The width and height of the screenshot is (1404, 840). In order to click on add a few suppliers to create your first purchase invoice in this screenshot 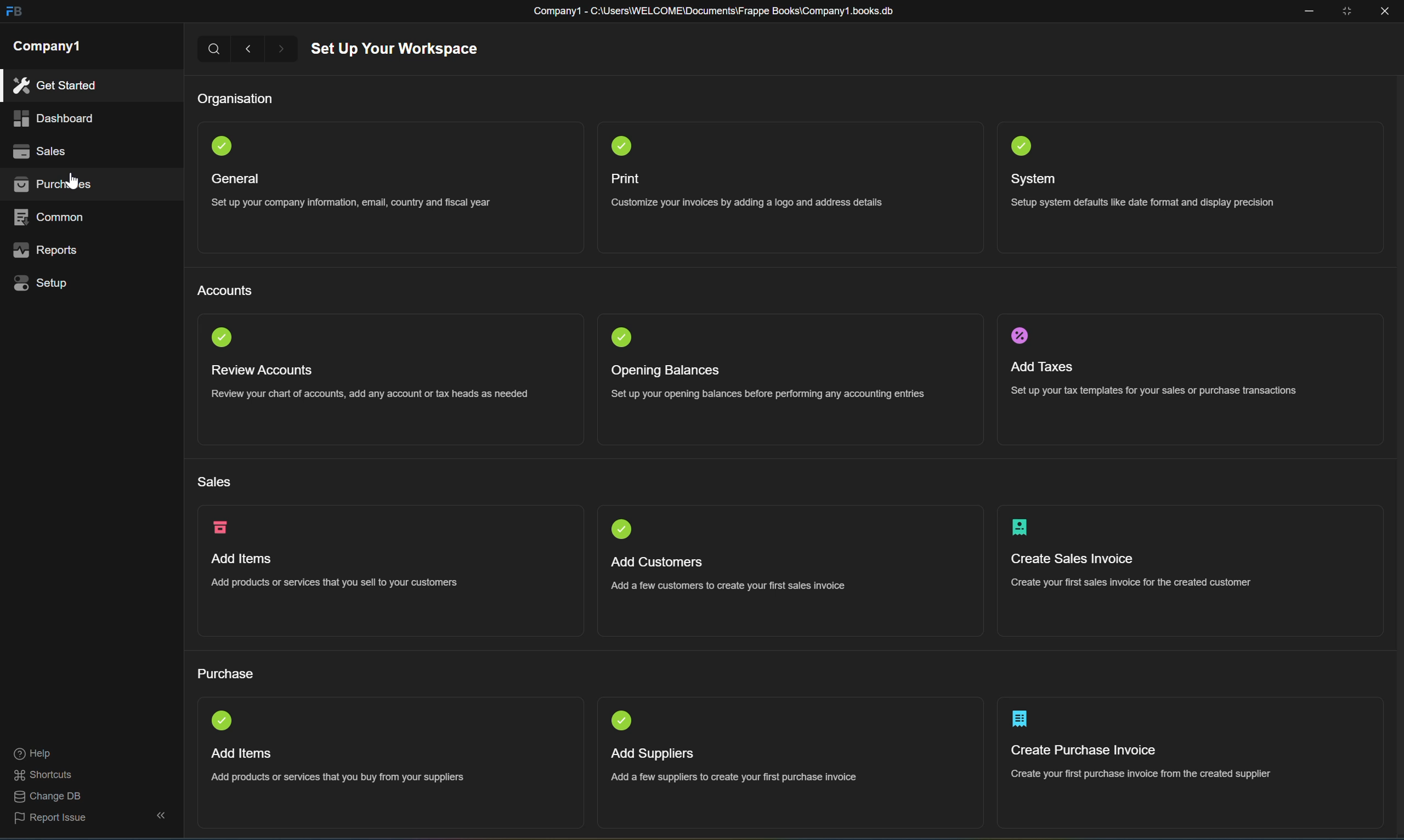, I will do `click(736, 775)`.